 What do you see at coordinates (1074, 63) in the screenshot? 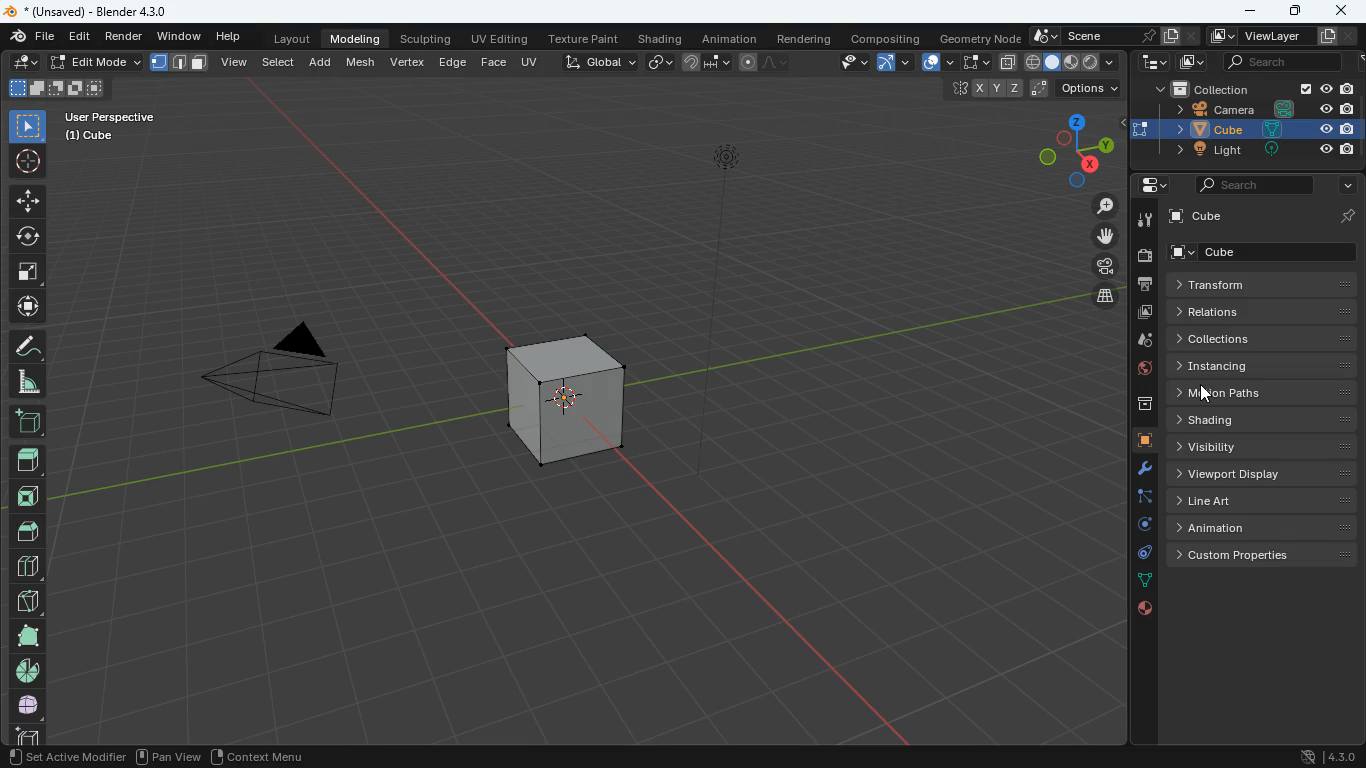
I see `layout` at bounding box center [1074, 63].